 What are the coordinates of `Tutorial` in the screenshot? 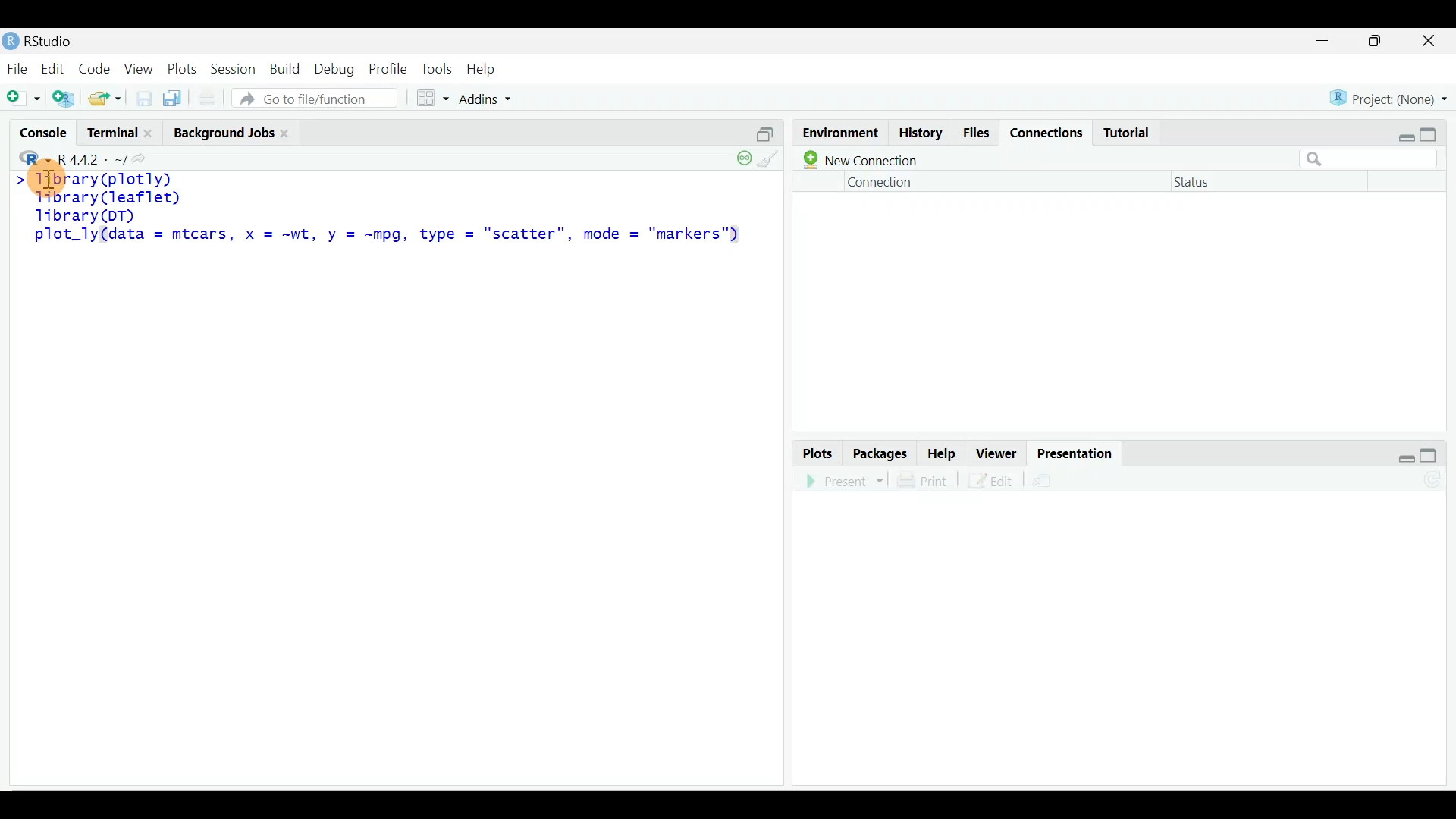 It's located at (1128, 127).